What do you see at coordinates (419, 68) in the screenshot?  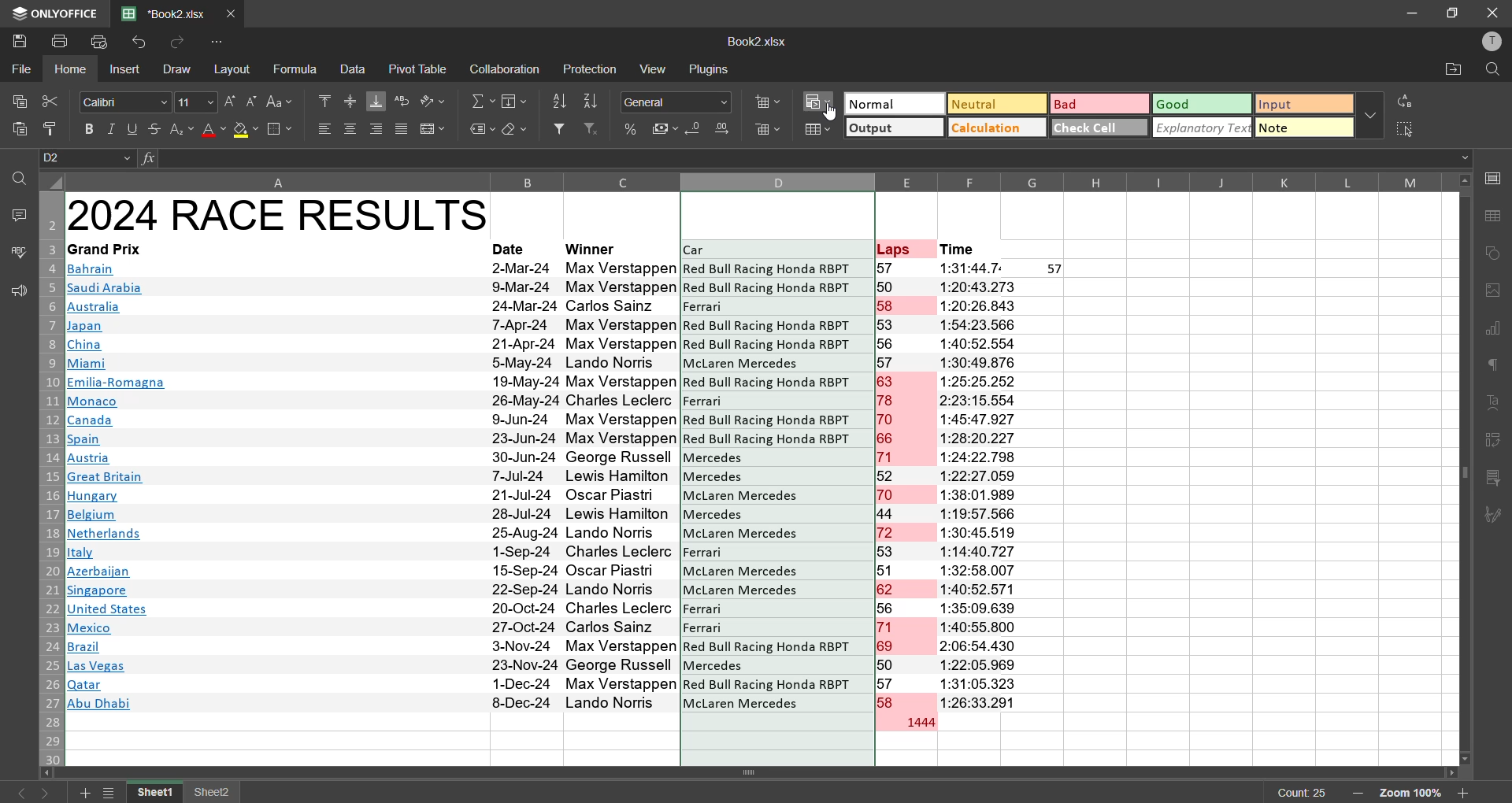 I see `pivot table` at bounding box center [419, 68].